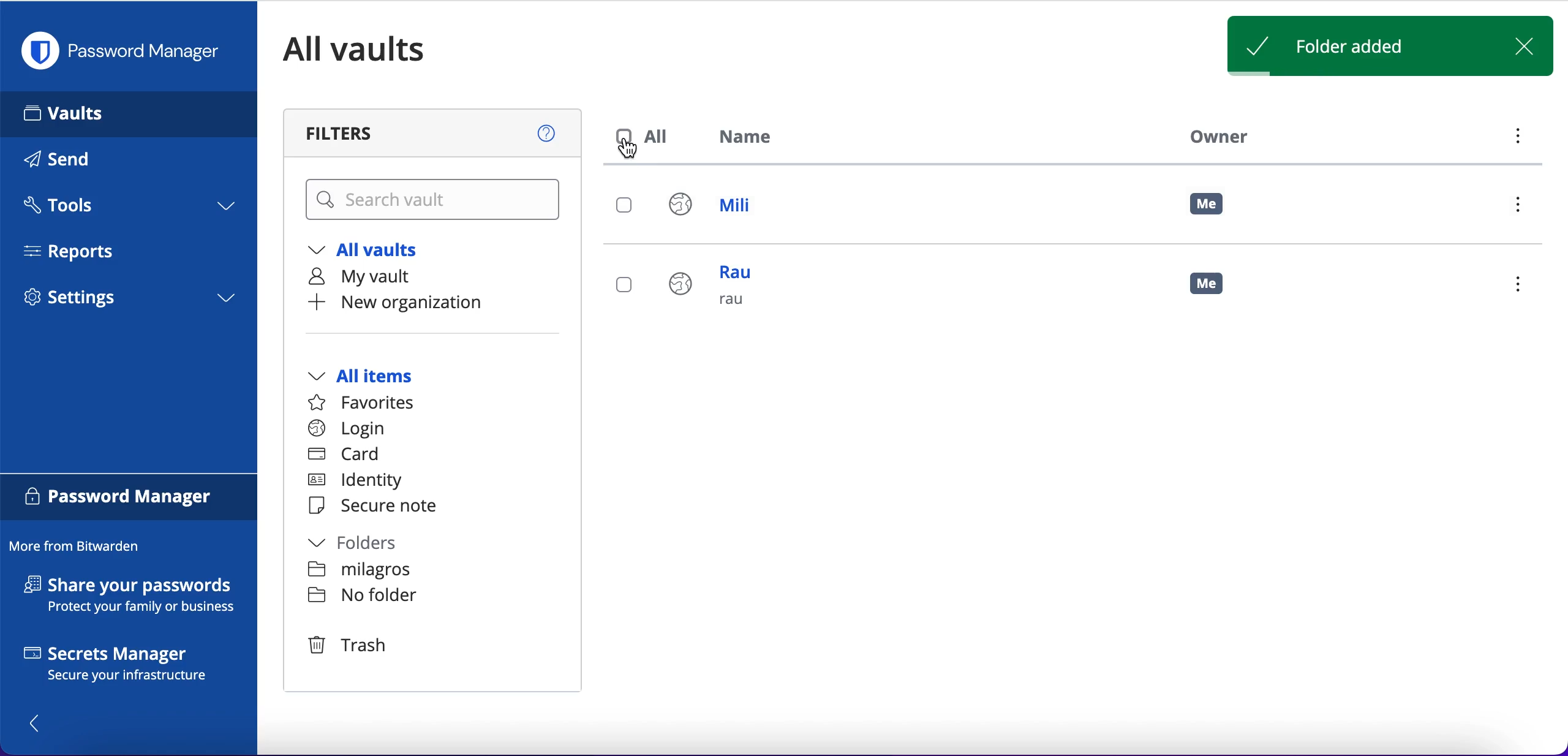 Image resolution: width=1568 pixels, height=756 pixels. I want to click on tools, so click(127, 209).